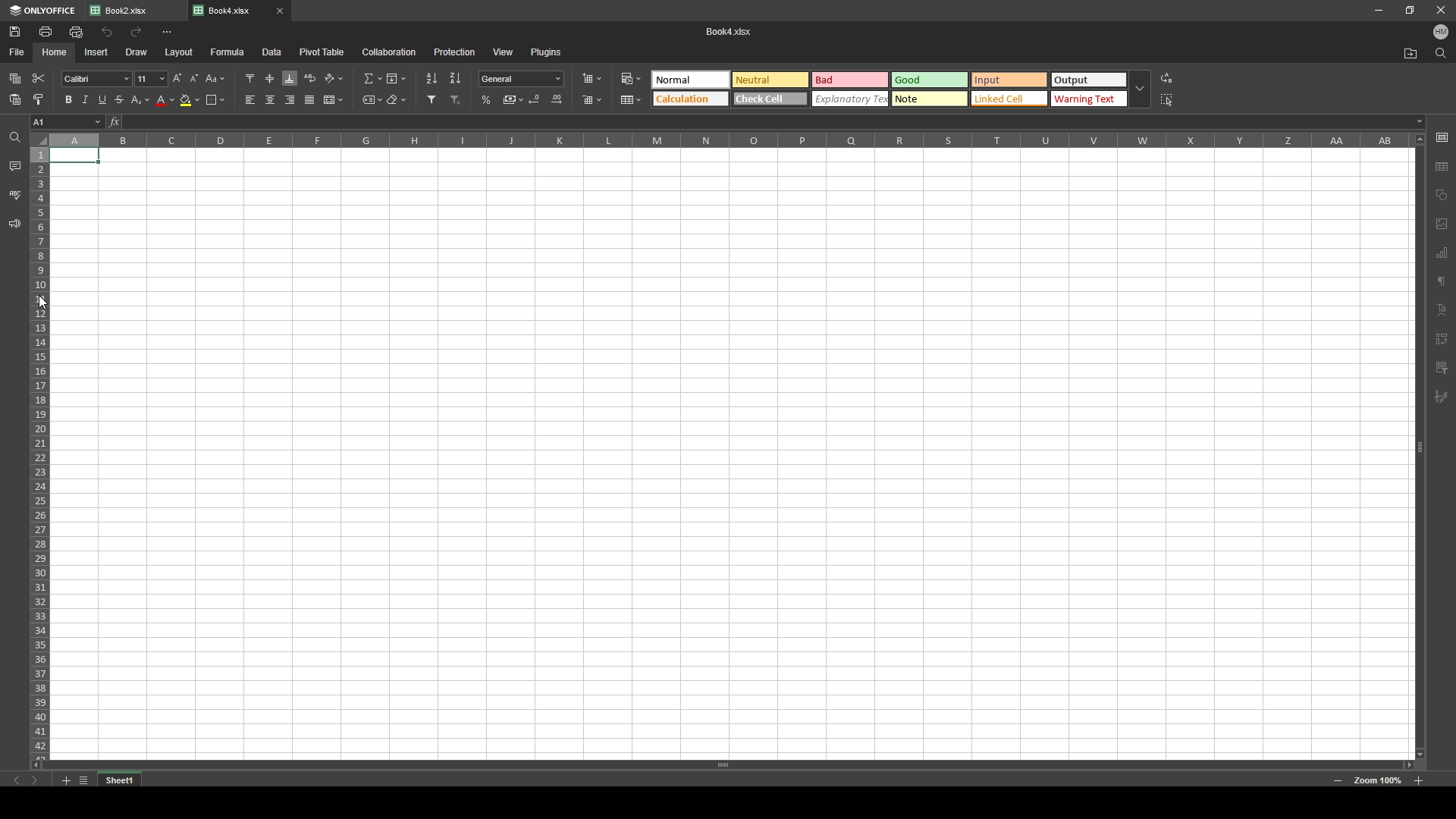 The height and width of the screenshot is (819, 1456). What do you see at coordinates (431, 99) in the screenshot?
I see `filter` at bounding box center [431, 99].